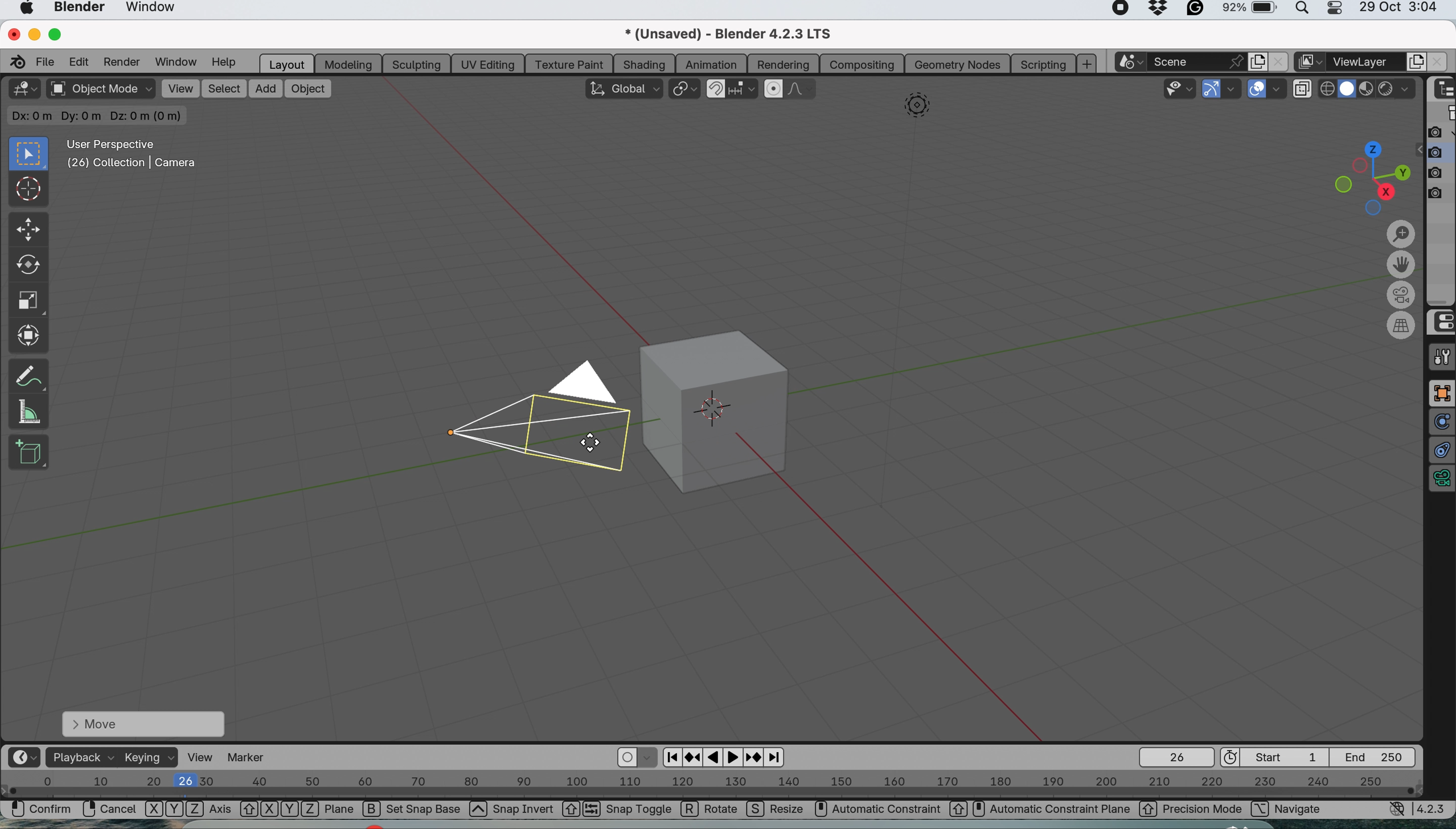 Image resolution: width=1456 pixels, height=829 pixels. What do you see at coordinates (1233, 90) in the screenshot?
I see `gizmos` at bounding box center [1233, 90].